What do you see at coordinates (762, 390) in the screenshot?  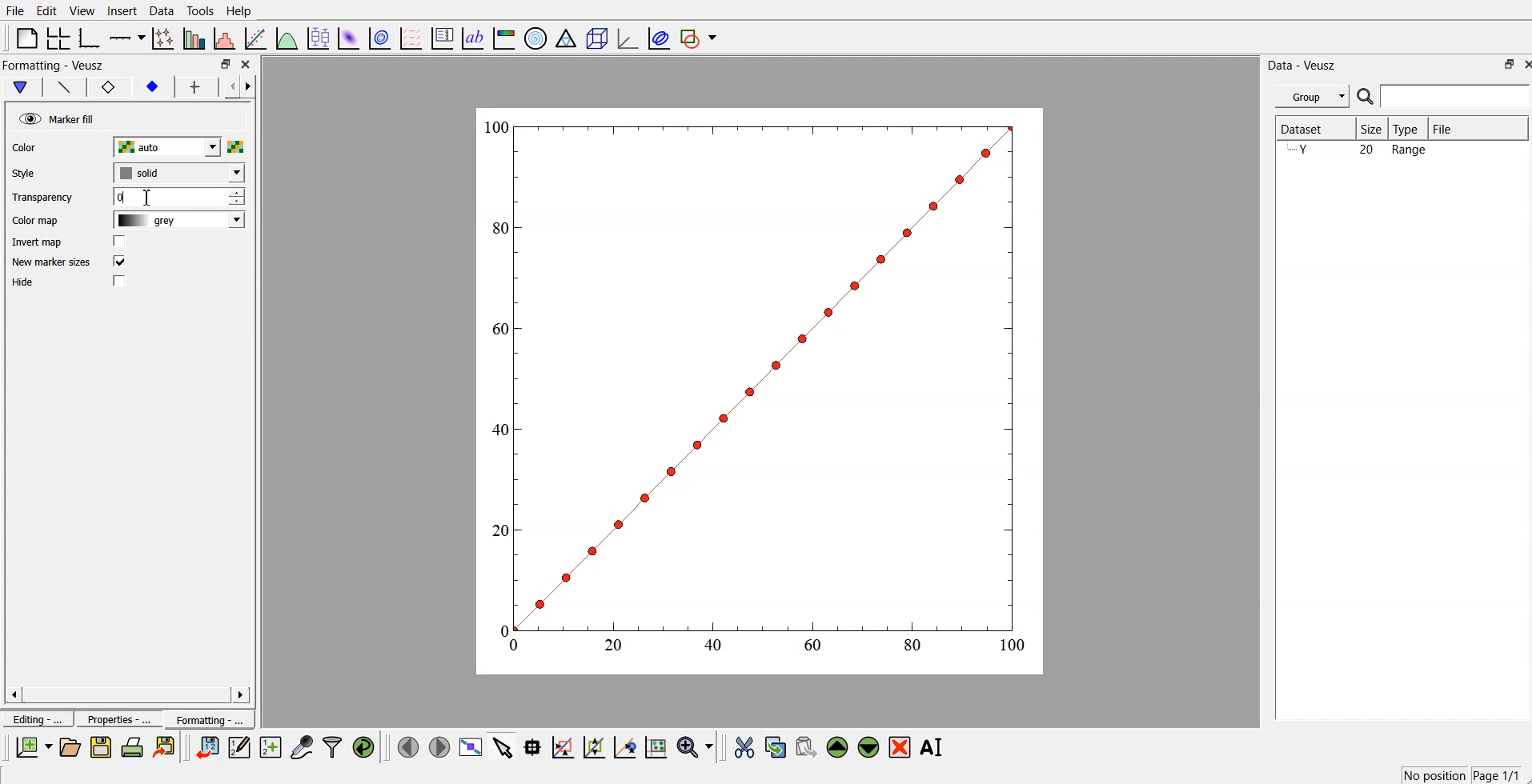 I see `page` at bounding box center [762, 390].